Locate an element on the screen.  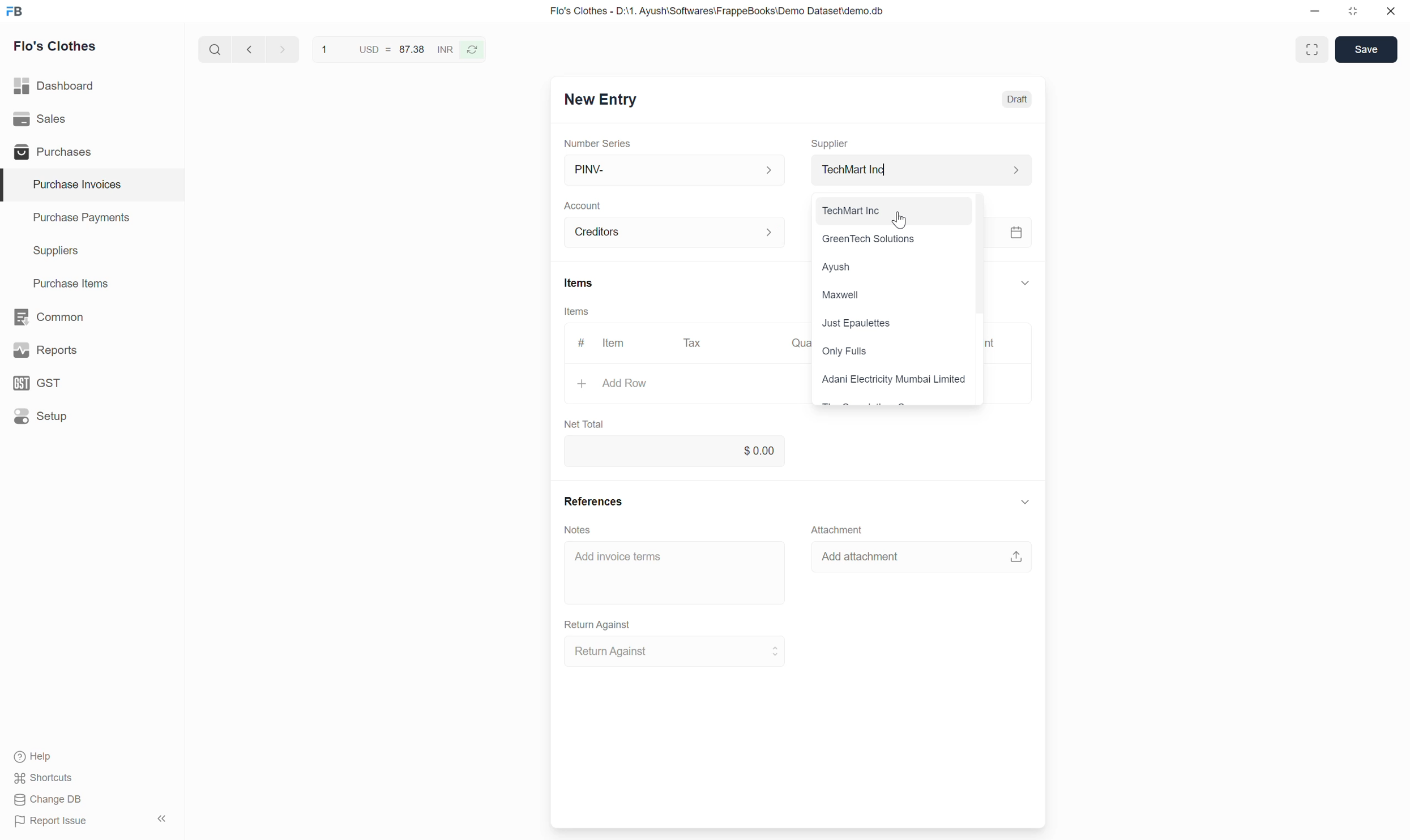
expand button is located at coordinates (1026, 505).